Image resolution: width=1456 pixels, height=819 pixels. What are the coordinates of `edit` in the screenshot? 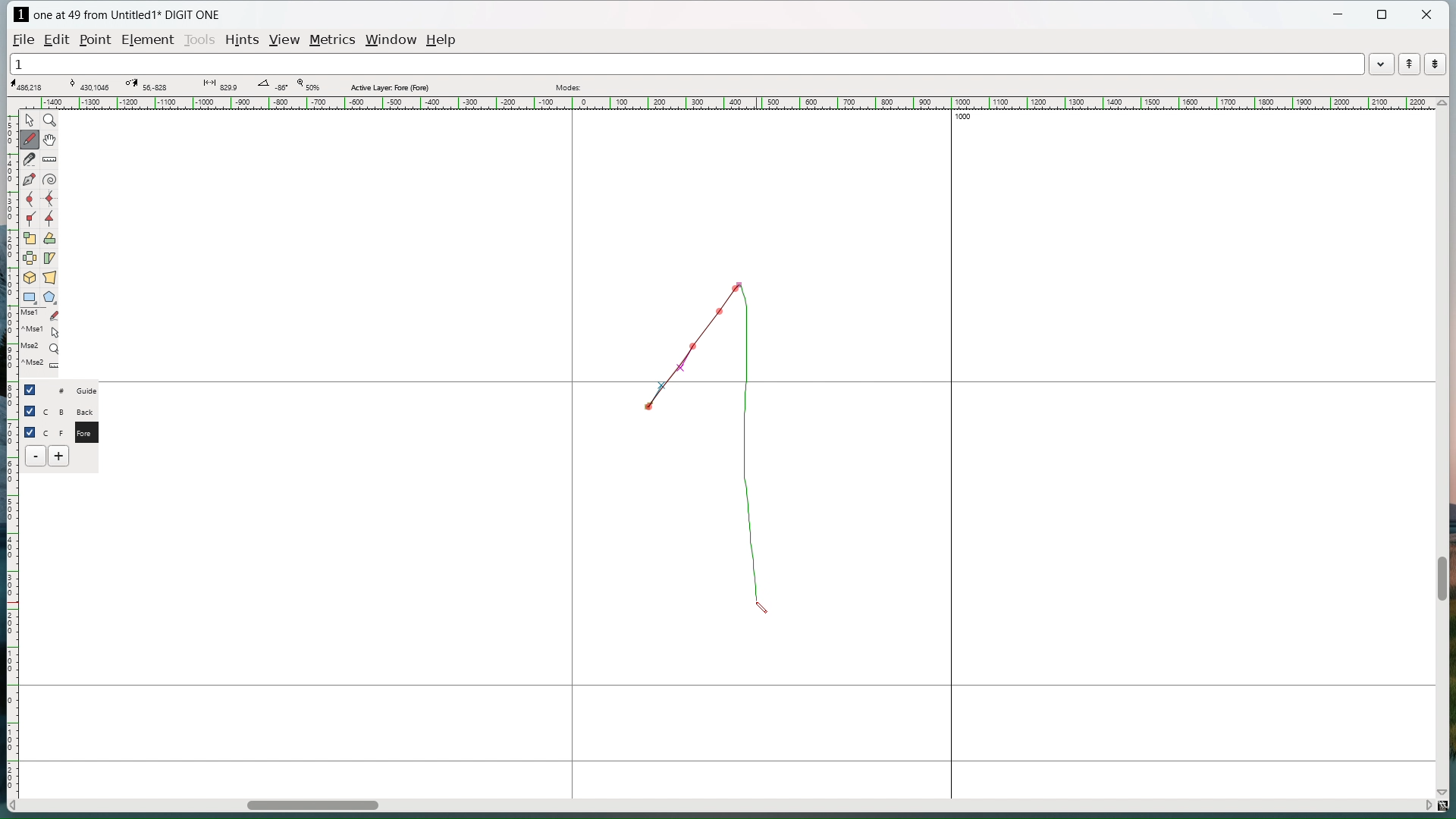 It's located at (59, 39).